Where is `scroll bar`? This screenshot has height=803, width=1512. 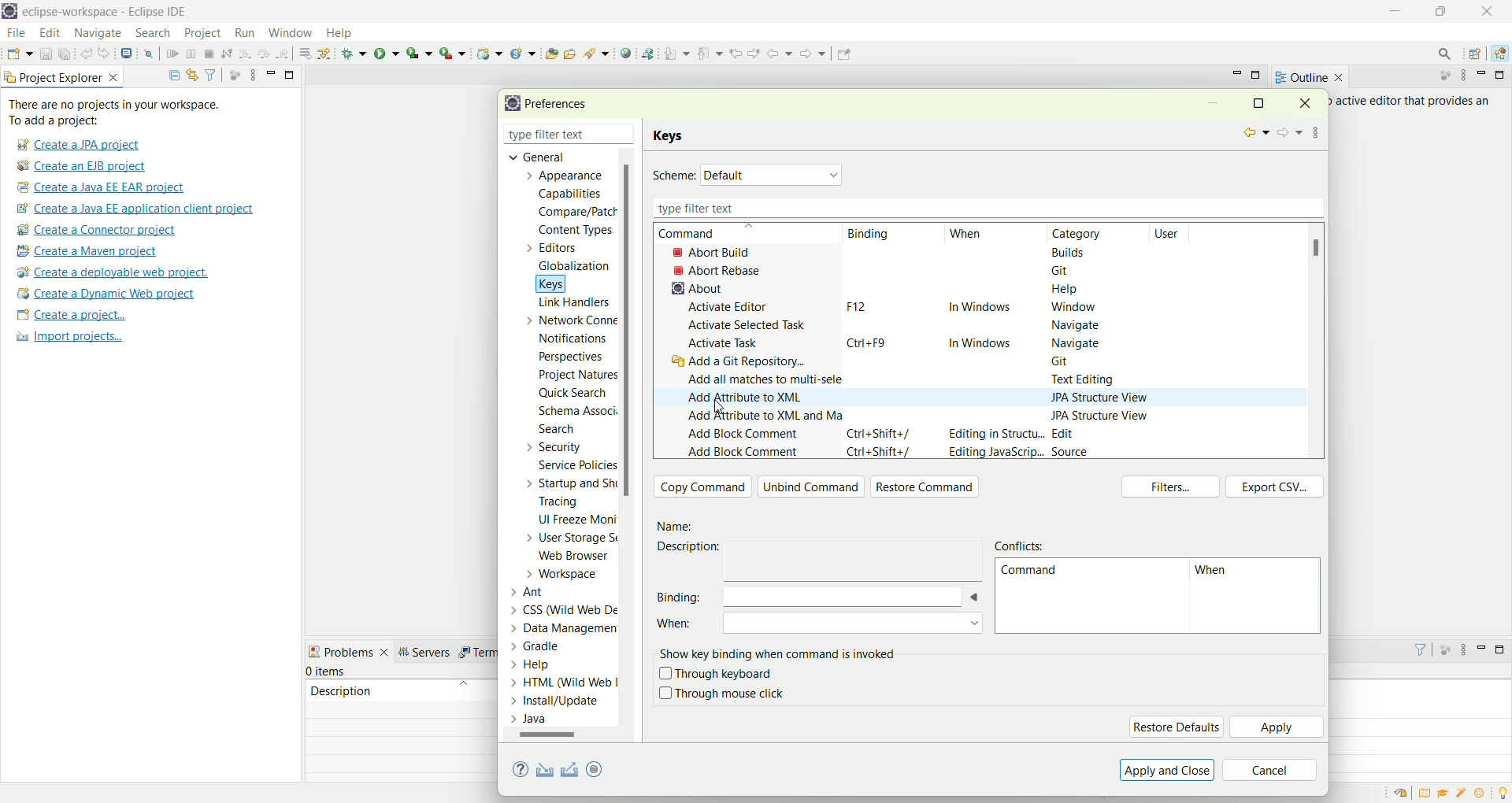
scroll bar is located at coordinates (1321, 248).